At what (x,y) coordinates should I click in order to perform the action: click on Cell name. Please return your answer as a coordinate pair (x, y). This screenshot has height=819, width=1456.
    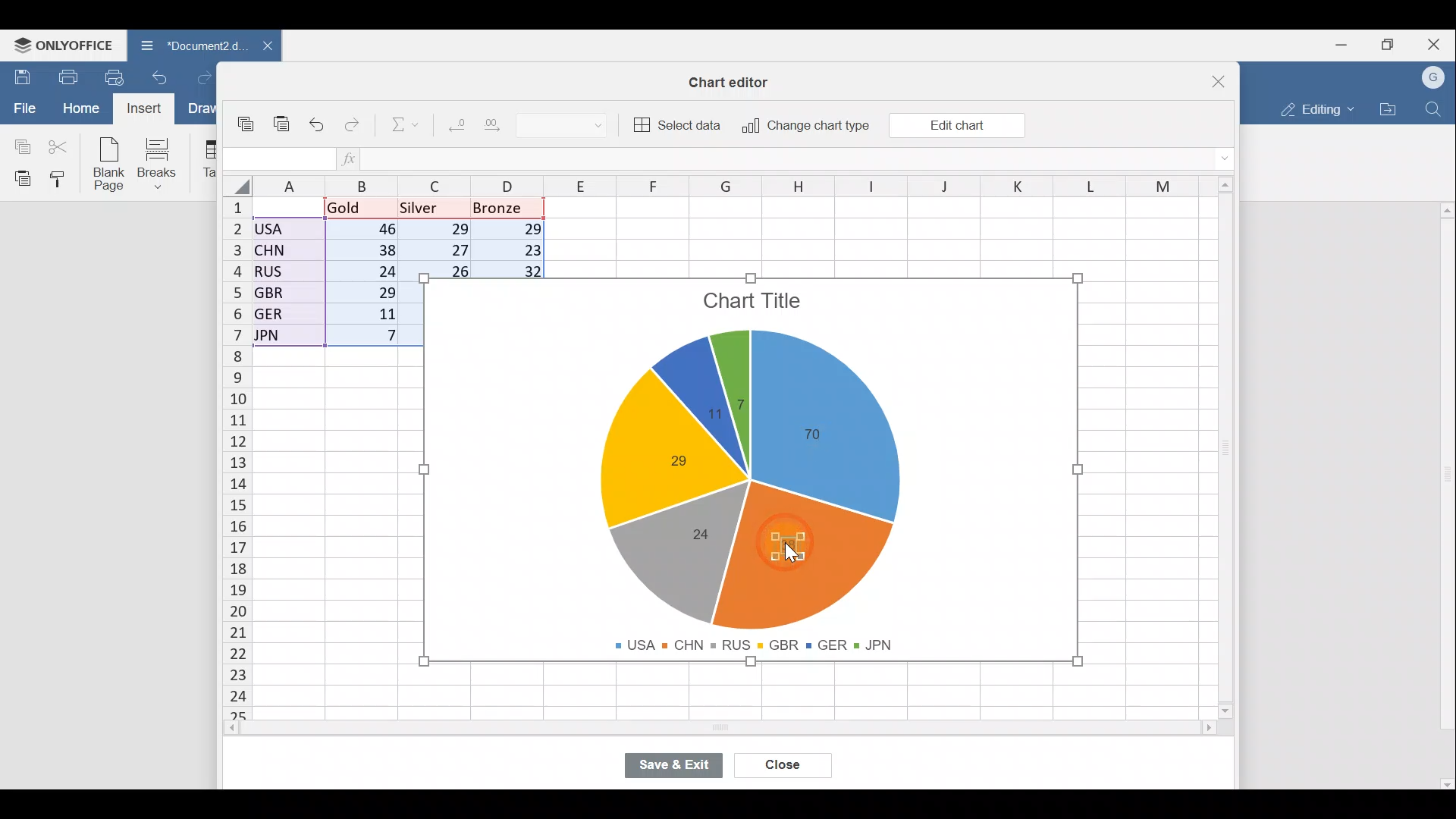
    Looking at the image, I should click on (277, 159).